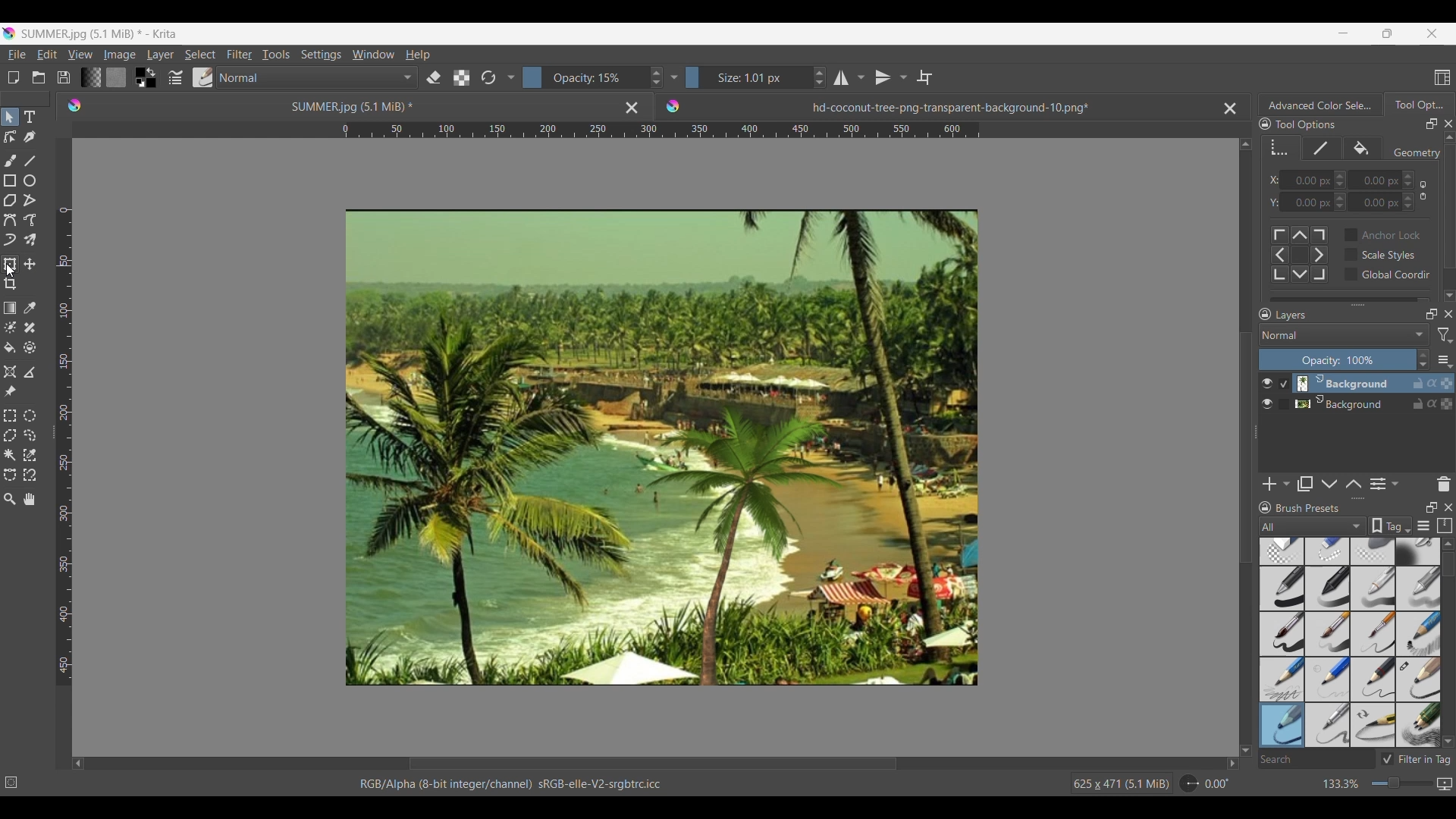 The height and width of the screenshot is (819, 1456). What do you see at coordinates (1246, 741) in the screenshot?
I see `Down` at bounding box center [1246, 741].